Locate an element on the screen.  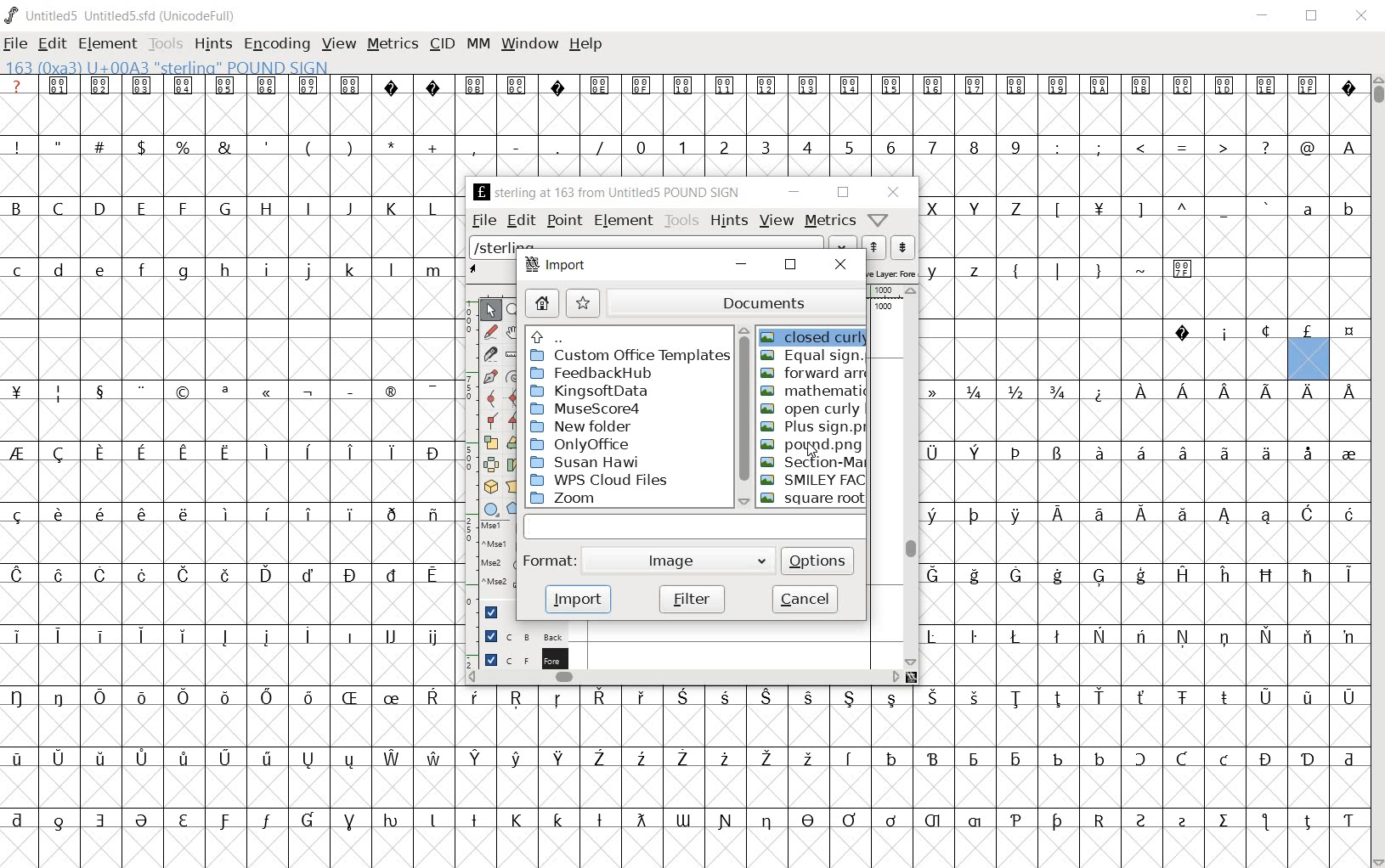
Symbol is located at coordinates (308, 513).